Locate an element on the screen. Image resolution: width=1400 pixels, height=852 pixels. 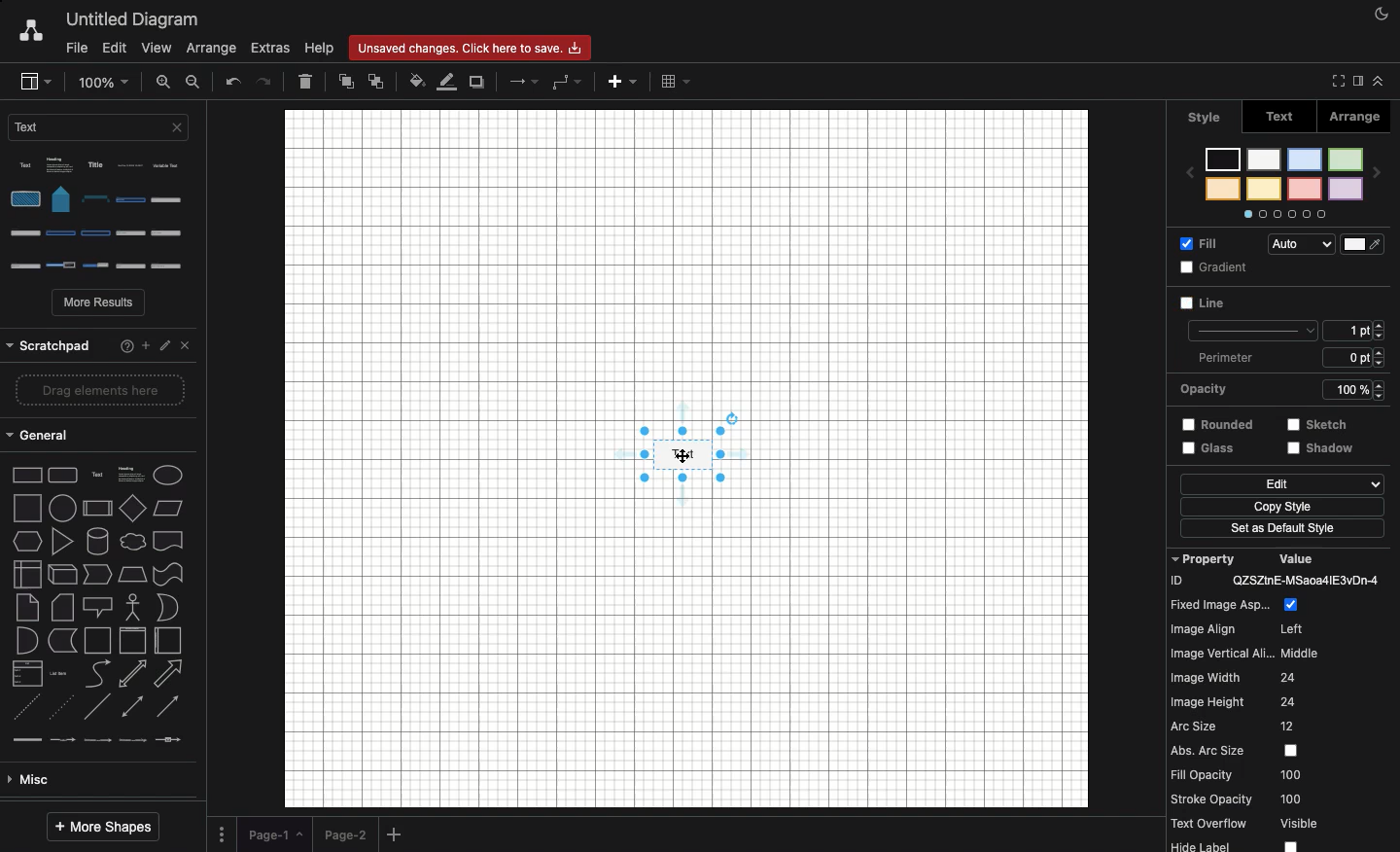
Misc is located at coordinates (95, 607).